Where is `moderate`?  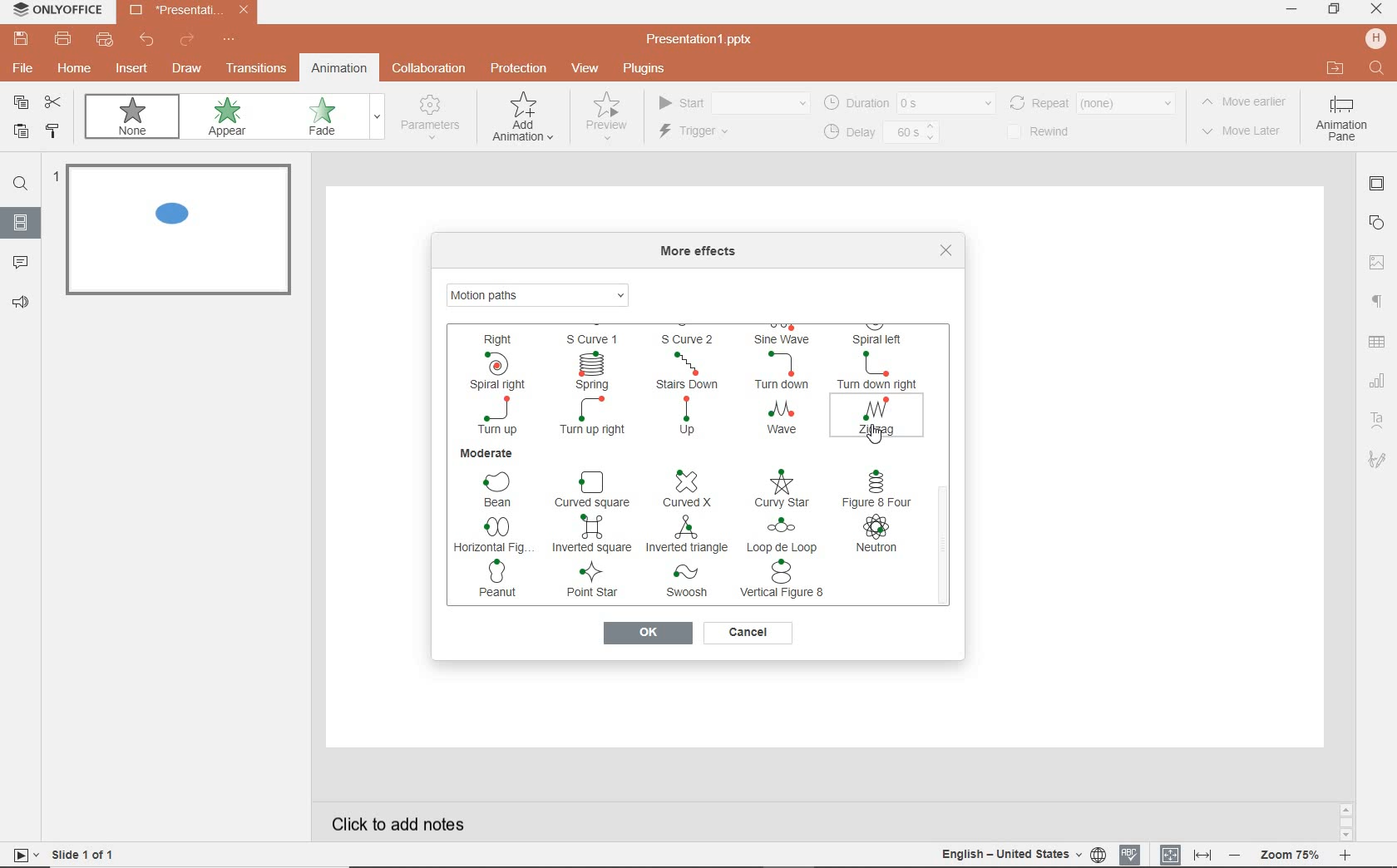 moderate is located at coordinates (487, 454).